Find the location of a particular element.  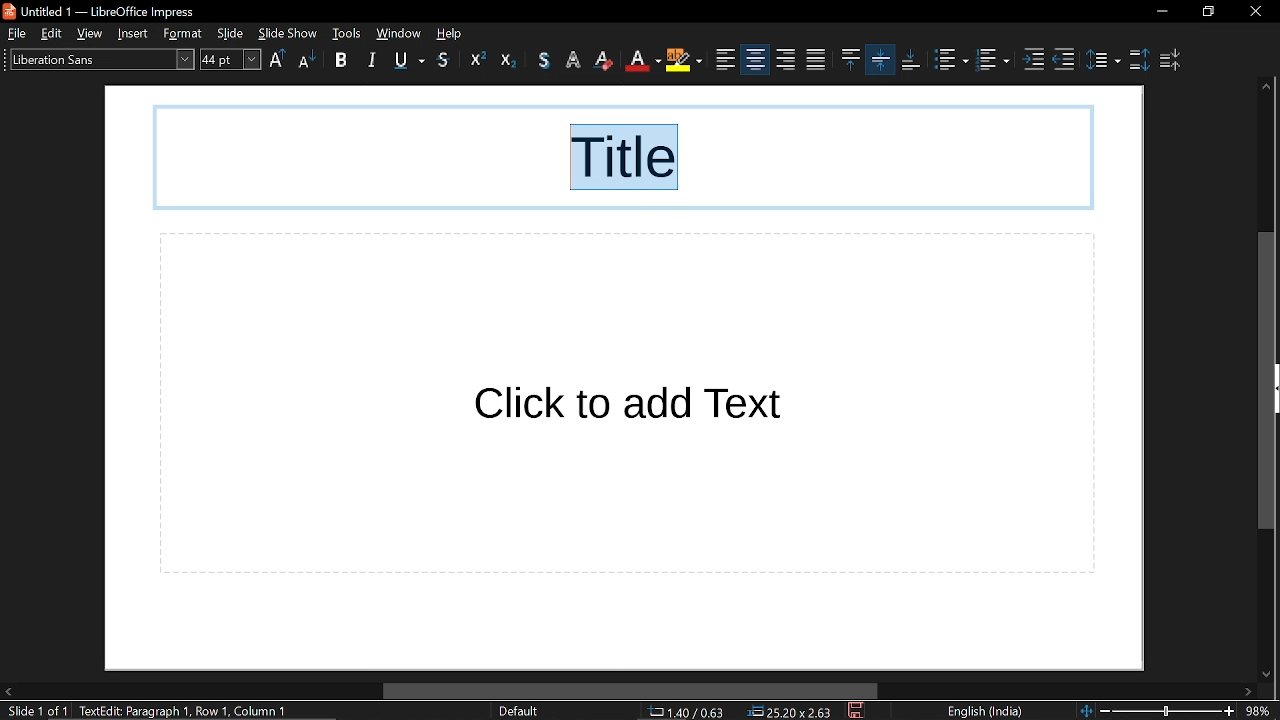

window is located at coordinates (398, 33).